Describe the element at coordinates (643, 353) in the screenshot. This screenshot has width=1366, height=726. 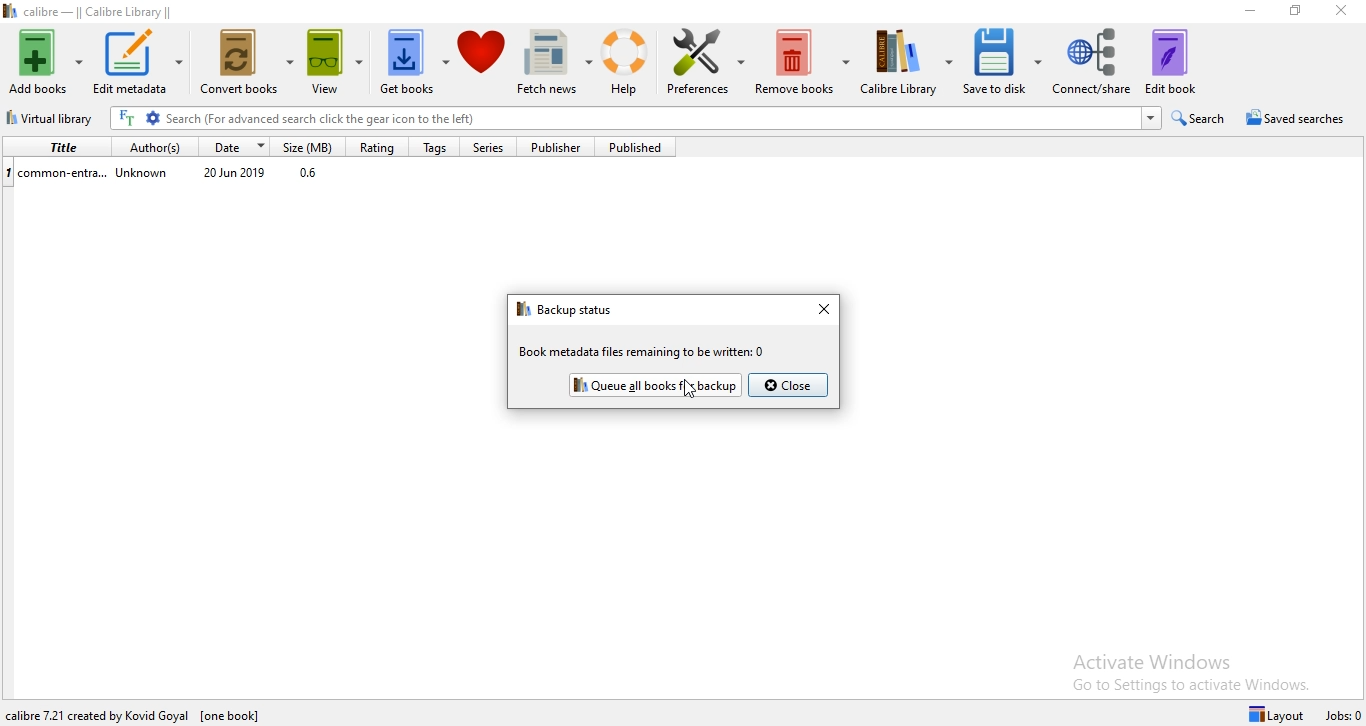
I see `book metadata files remaining to be written: 0` at that location.